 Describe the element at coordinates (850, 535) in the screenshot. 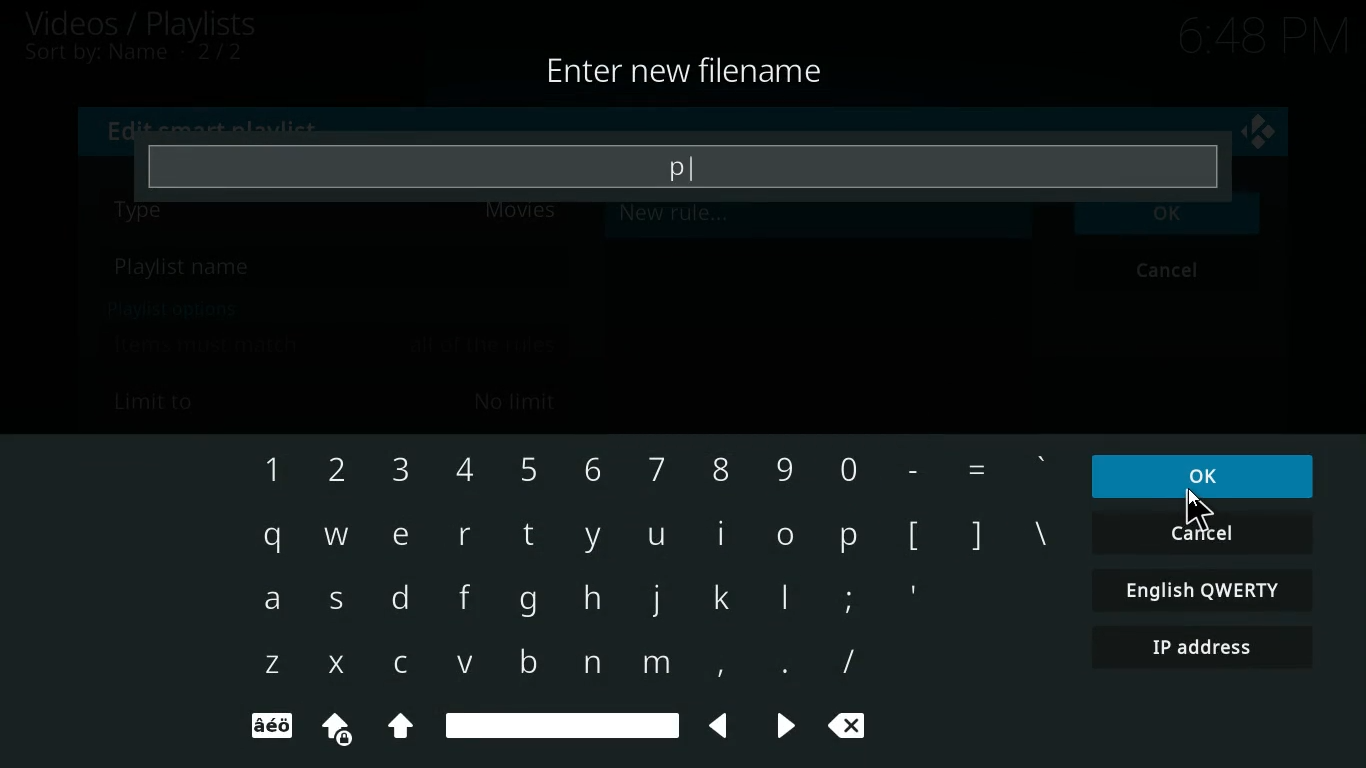

I see `p` at that location.